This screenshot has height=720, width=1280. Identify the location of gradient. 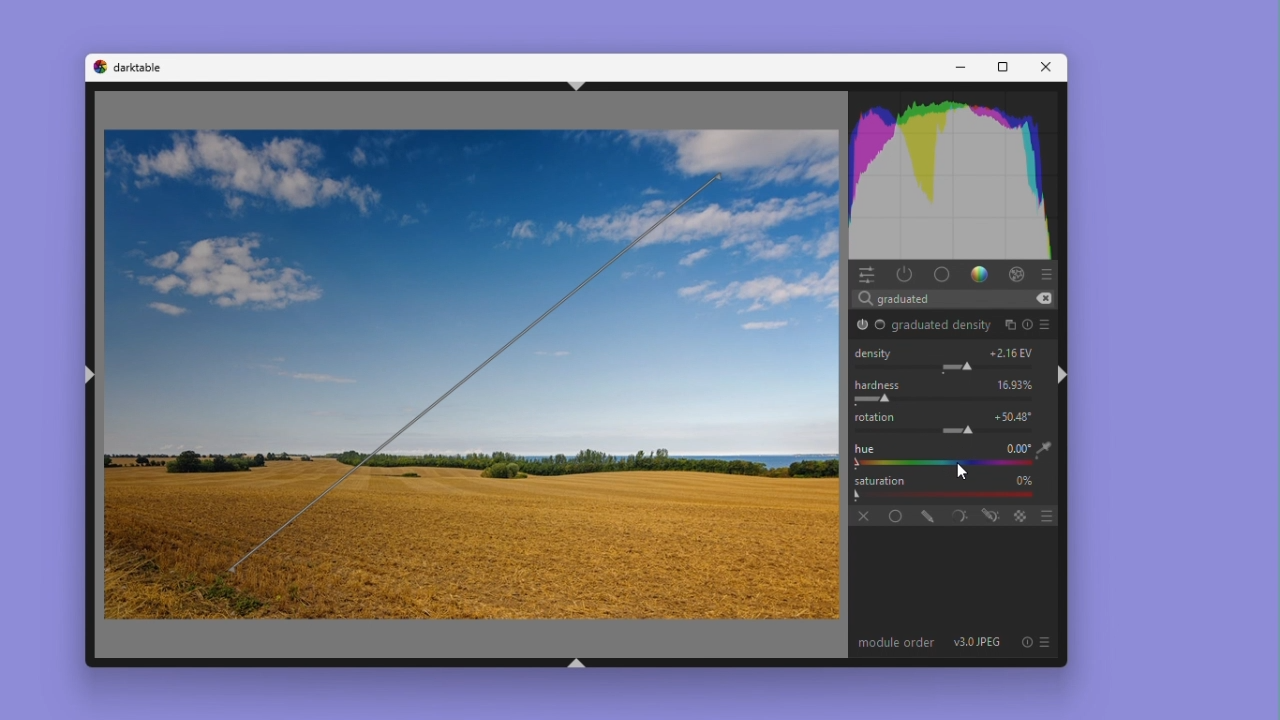
(977, 273).